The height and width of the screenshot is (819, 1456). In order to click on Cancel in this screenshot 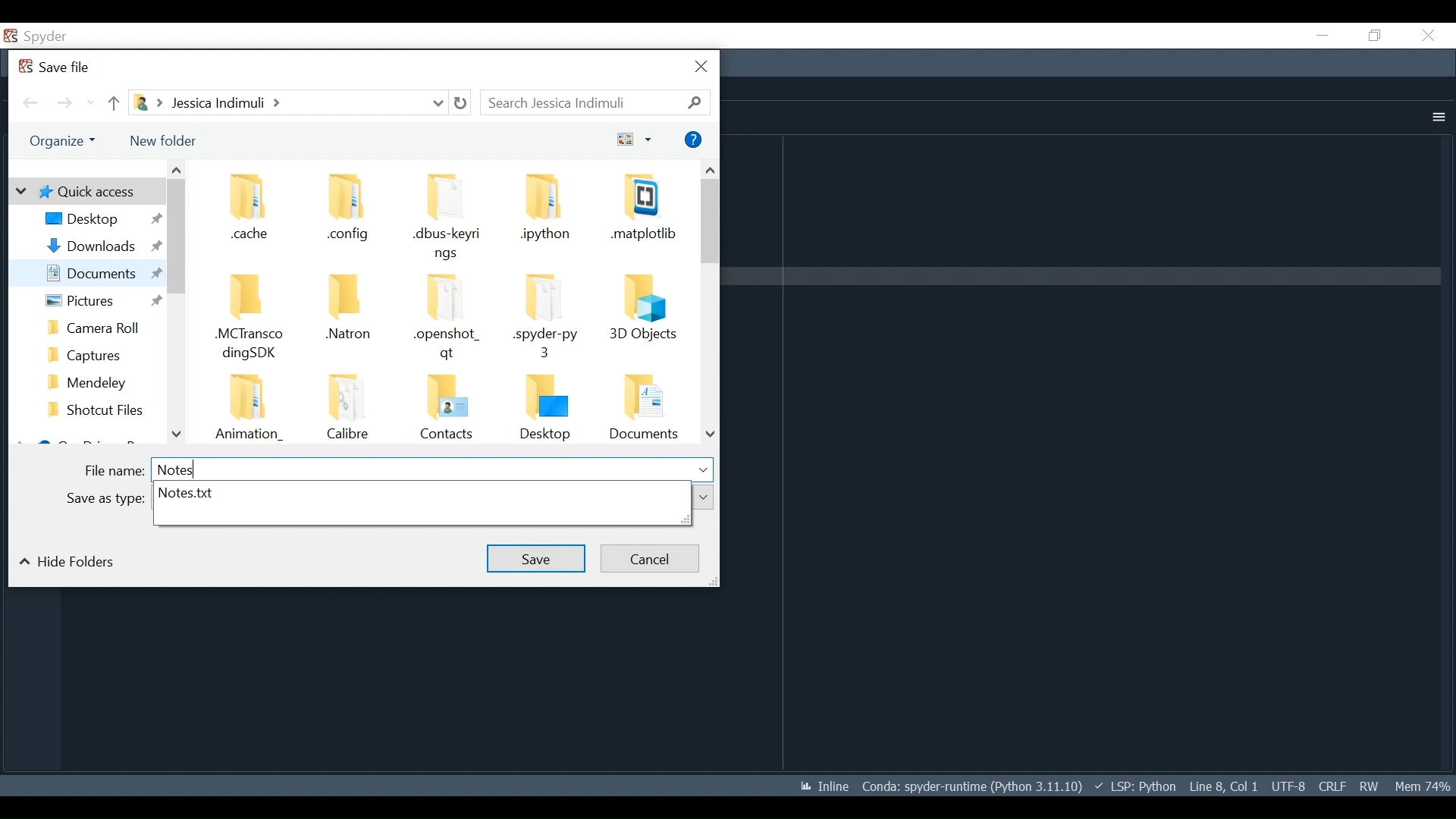, I will do `click(650, 559)`.